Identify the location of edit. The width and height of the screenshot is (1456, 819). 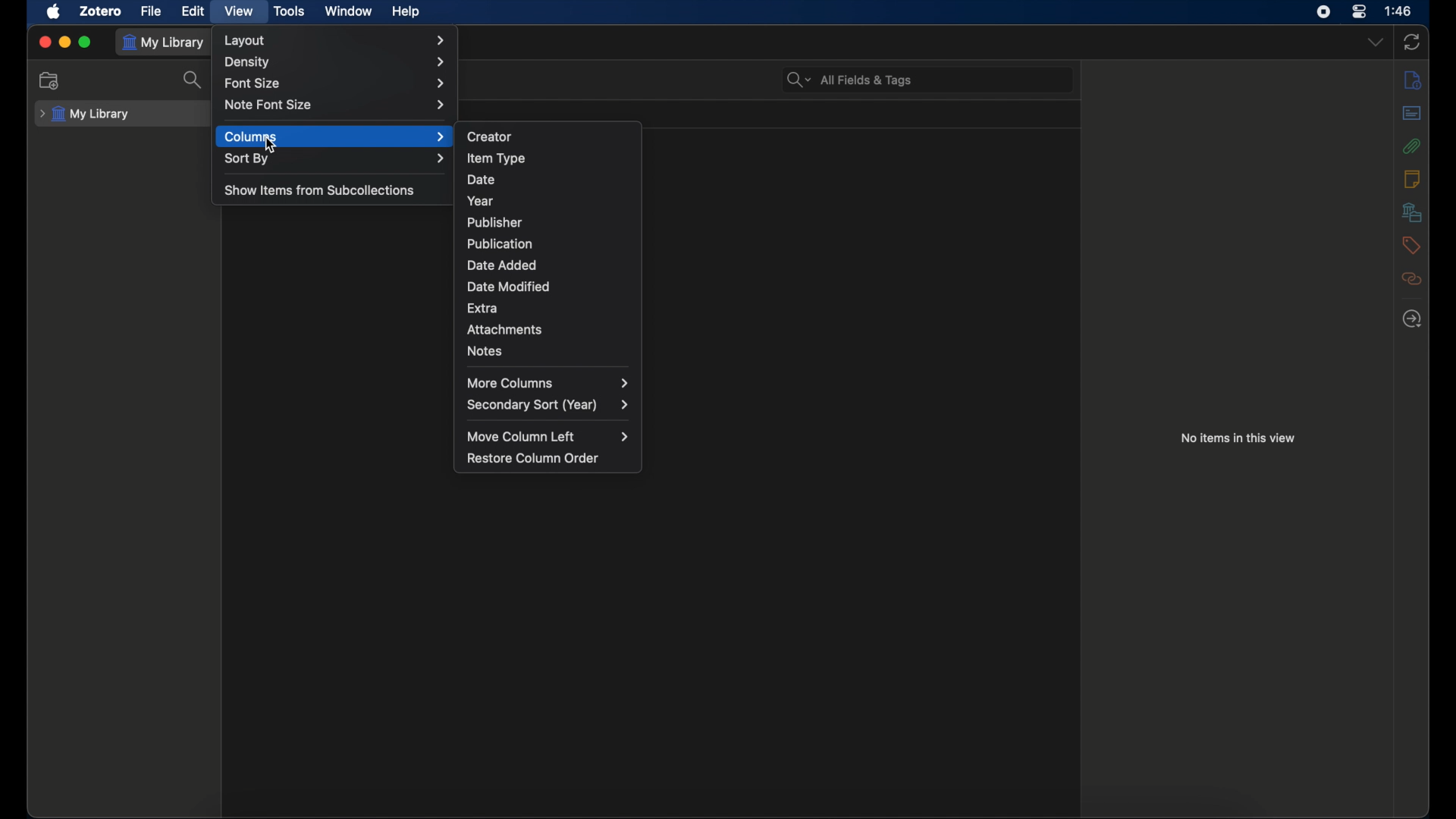
(194, 11).